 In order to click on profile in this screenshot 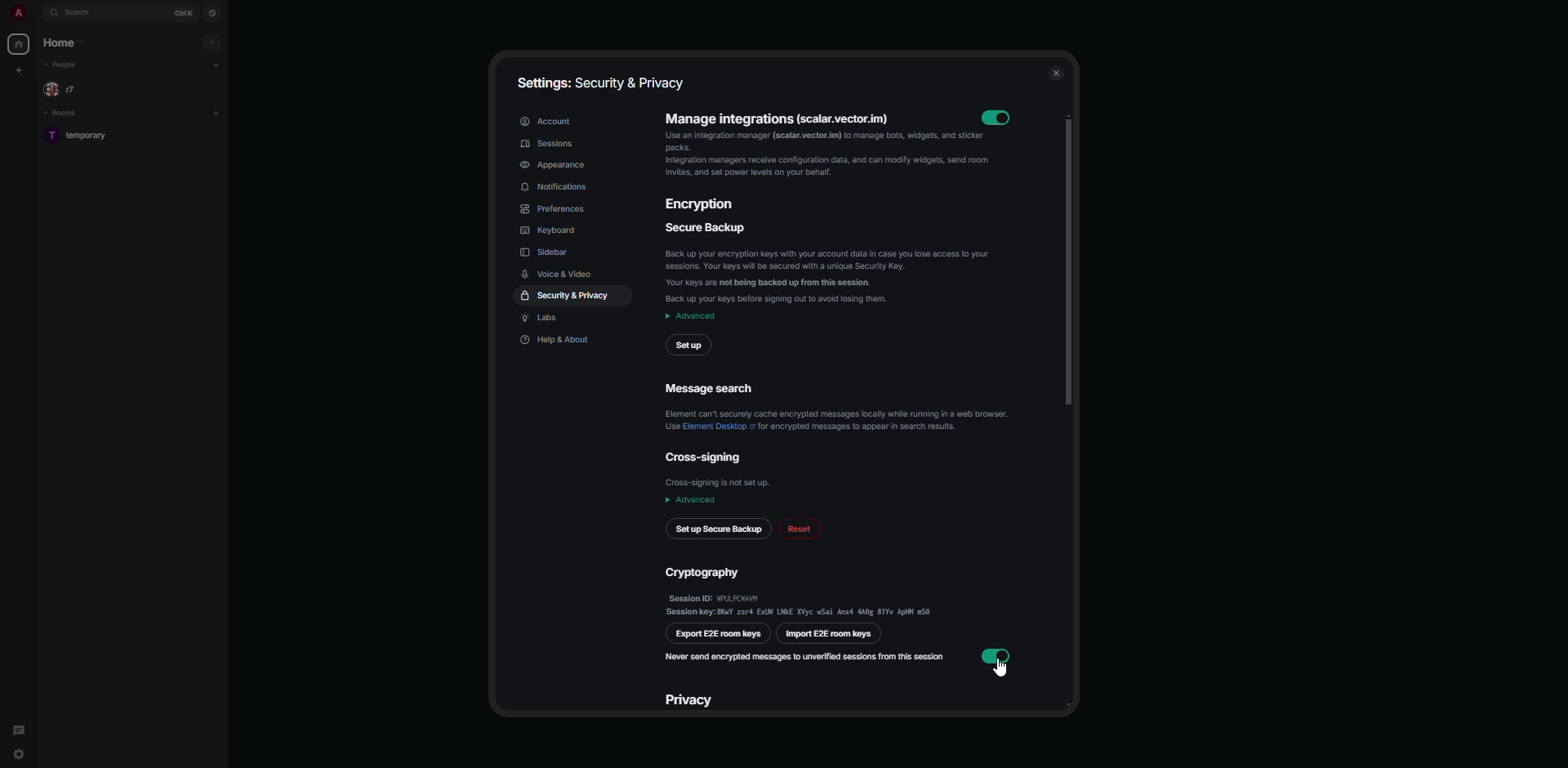, I will do `click(15, 12)`.